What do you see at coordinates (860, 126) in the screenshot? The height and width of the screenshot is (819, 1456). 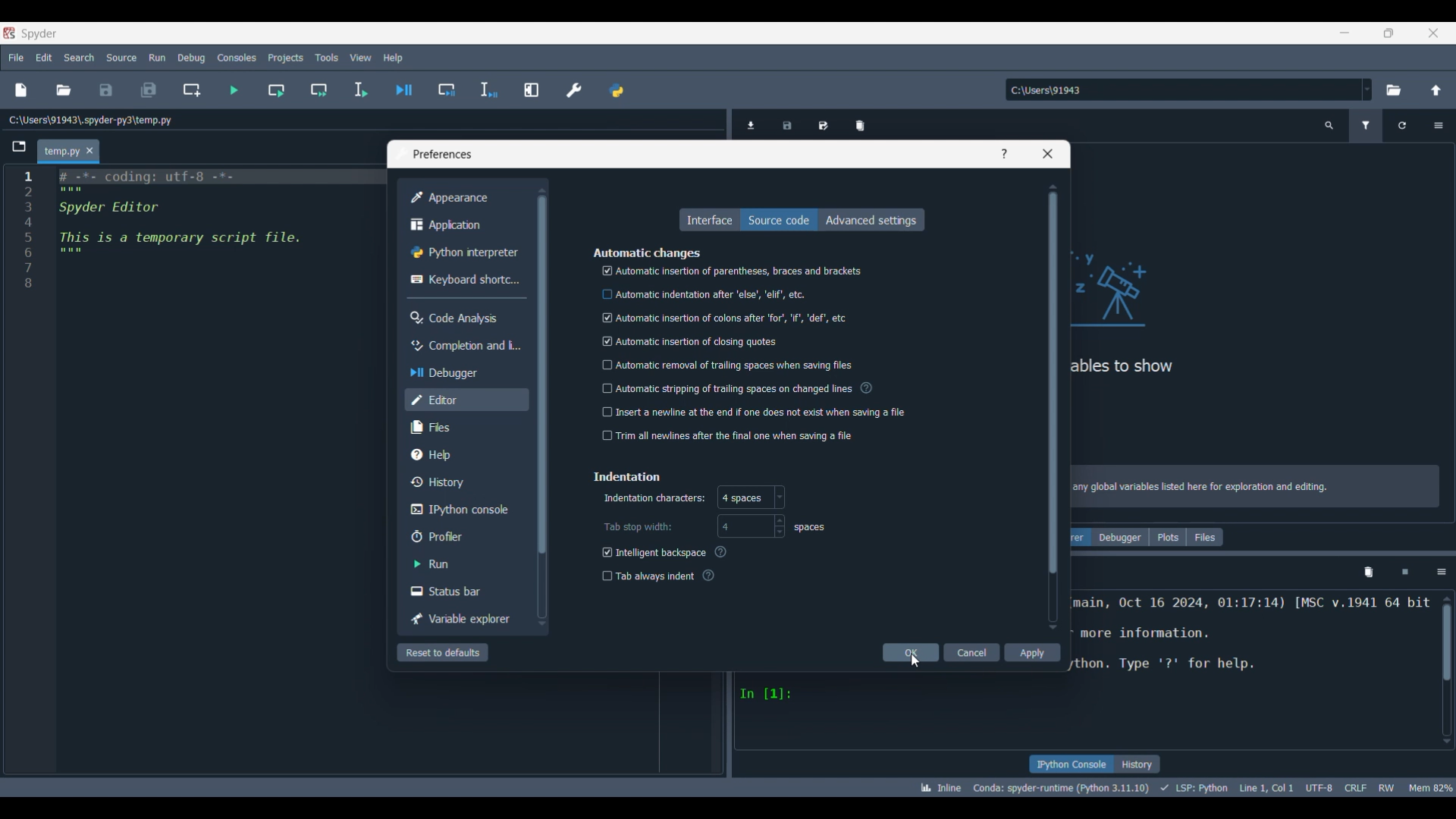 I see `Remove all variables` at bounding box center [860, 126].